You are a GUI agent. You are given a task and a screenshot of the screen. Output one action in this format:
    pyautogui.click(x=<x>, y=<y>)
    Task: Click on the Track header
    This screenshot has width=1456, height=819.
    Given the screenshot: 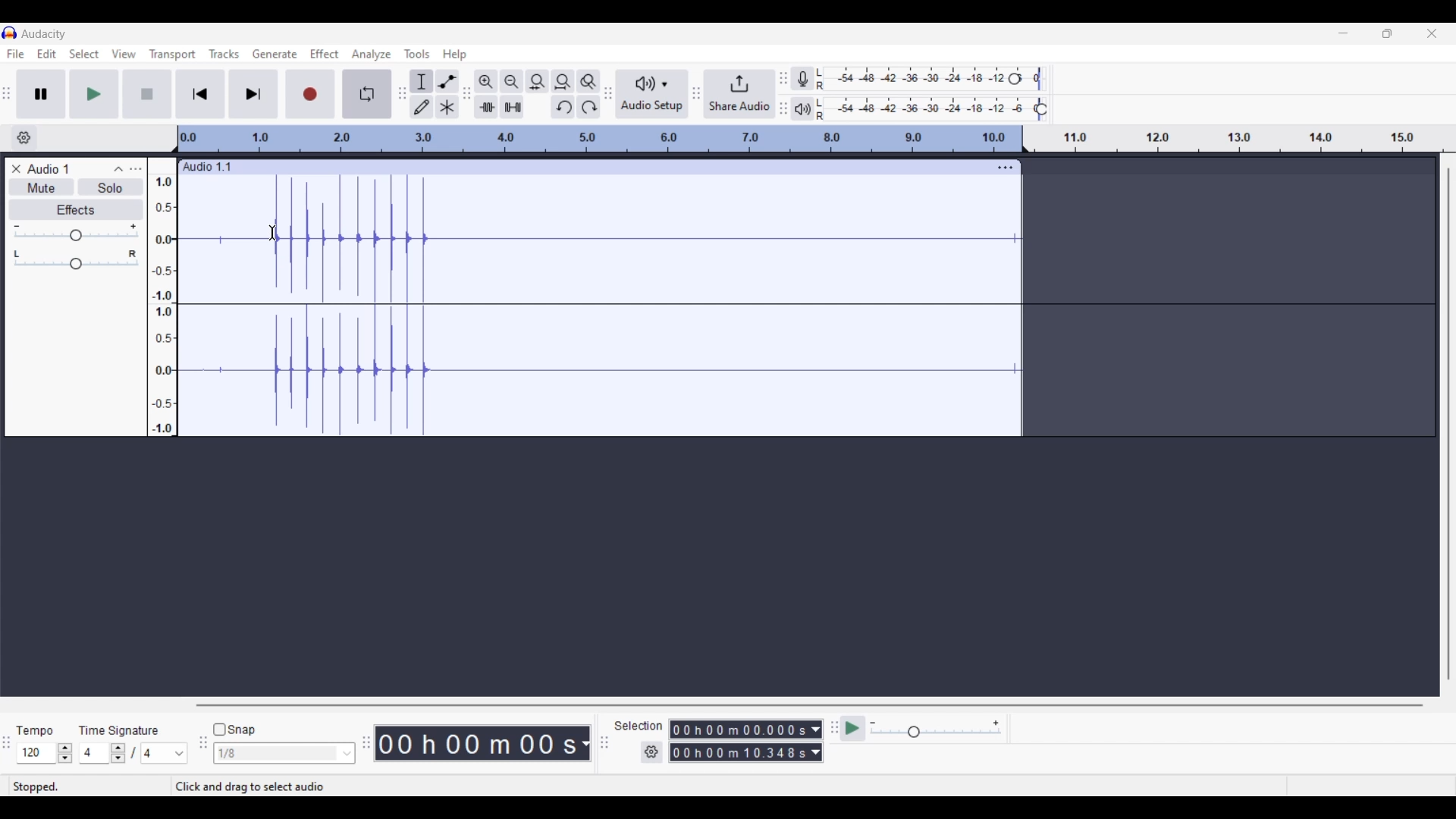 What is the action you would take?
    pyautogui.click(x=1025, y=140)
    